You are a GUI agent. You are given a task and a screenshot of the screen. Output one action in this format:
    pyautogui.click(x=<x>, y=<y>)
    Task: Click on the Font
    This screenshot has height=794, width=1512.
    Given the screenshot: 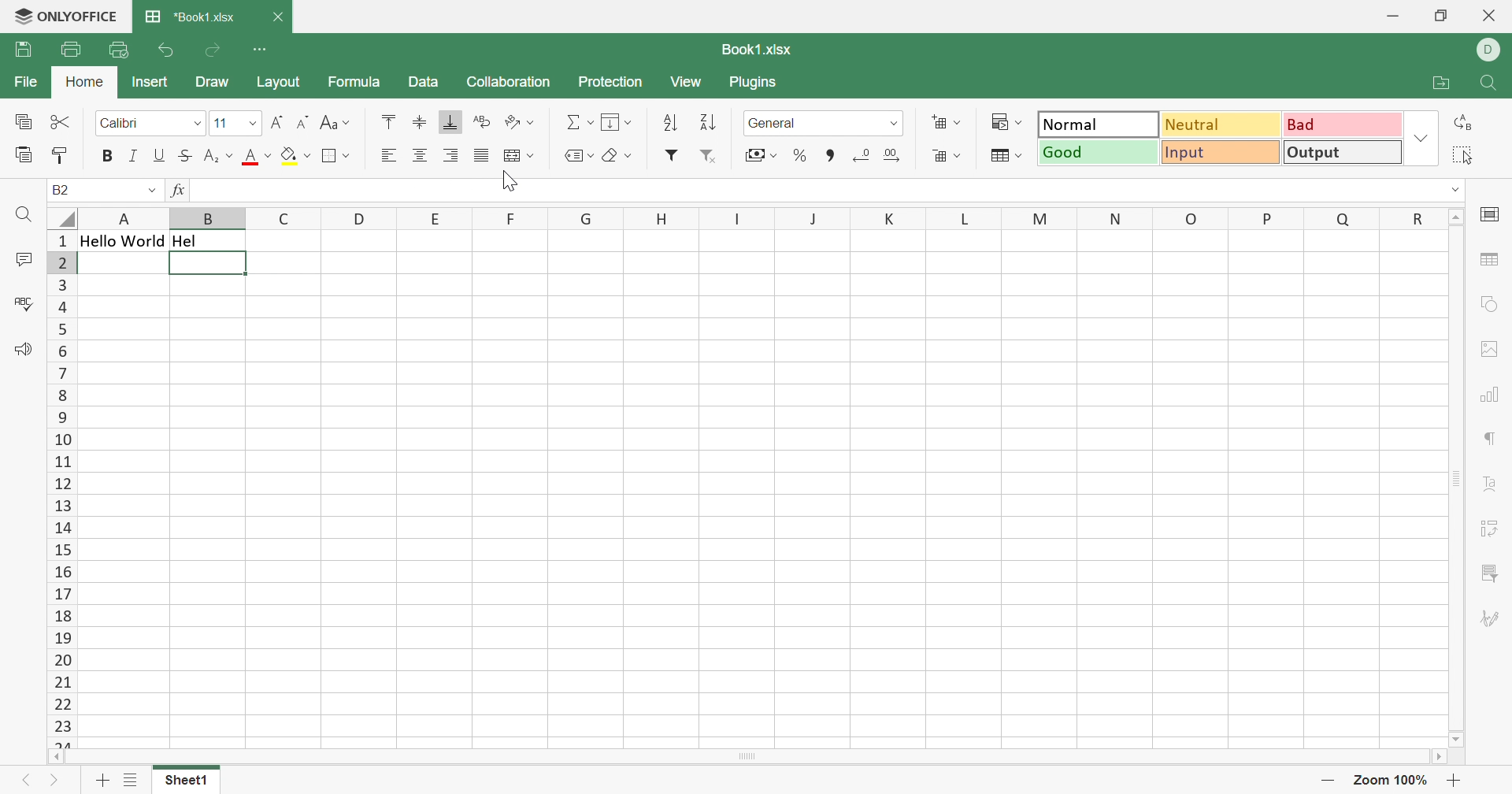 What is the action you would take?
    pyautogui.click(x=149, y=124)
    